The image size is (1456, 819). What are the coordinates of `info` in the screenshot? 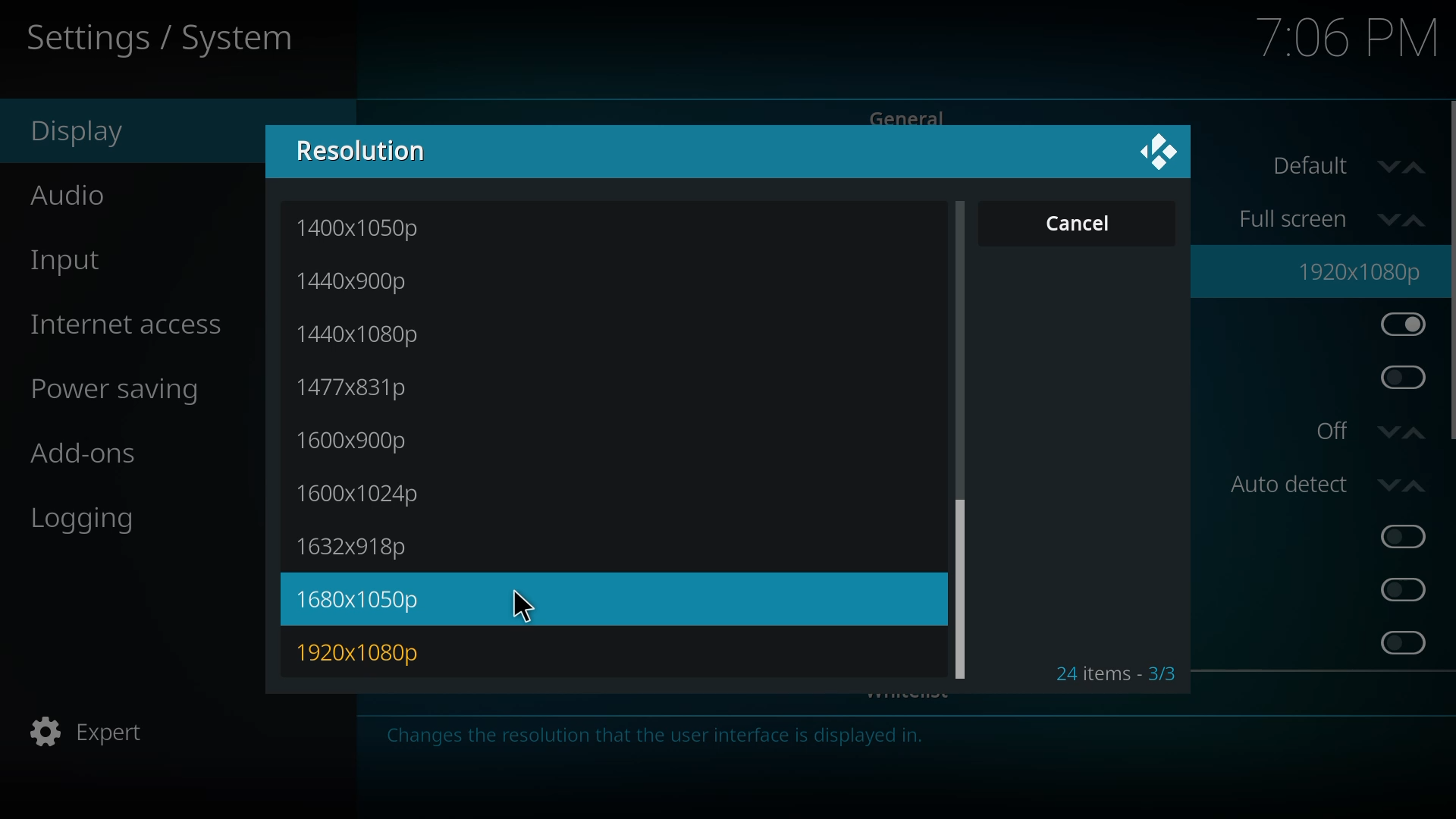 It's located at (660, 736).